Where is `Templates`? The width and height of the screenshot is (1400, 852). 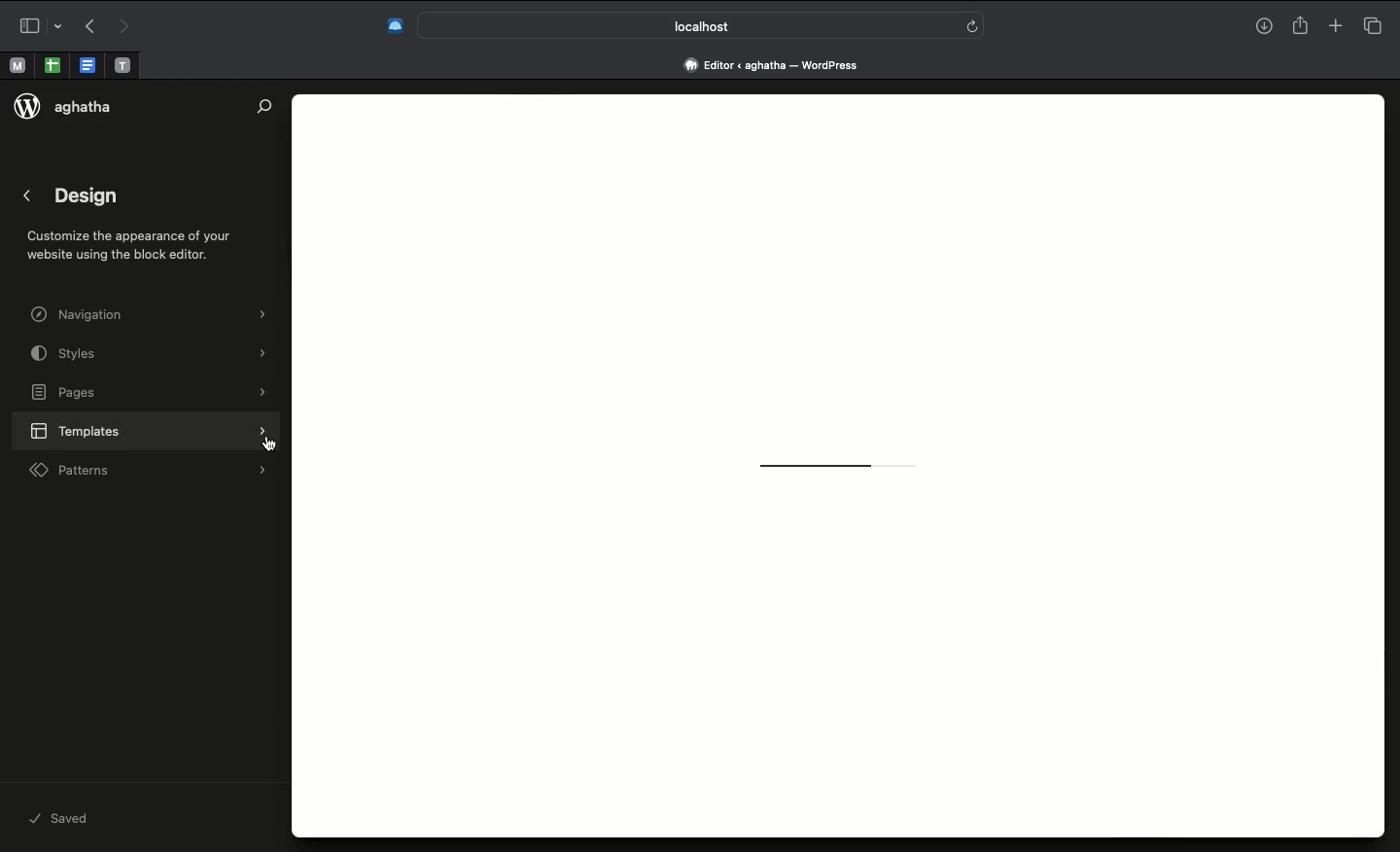 Templates is located at coordinates (151, 428).